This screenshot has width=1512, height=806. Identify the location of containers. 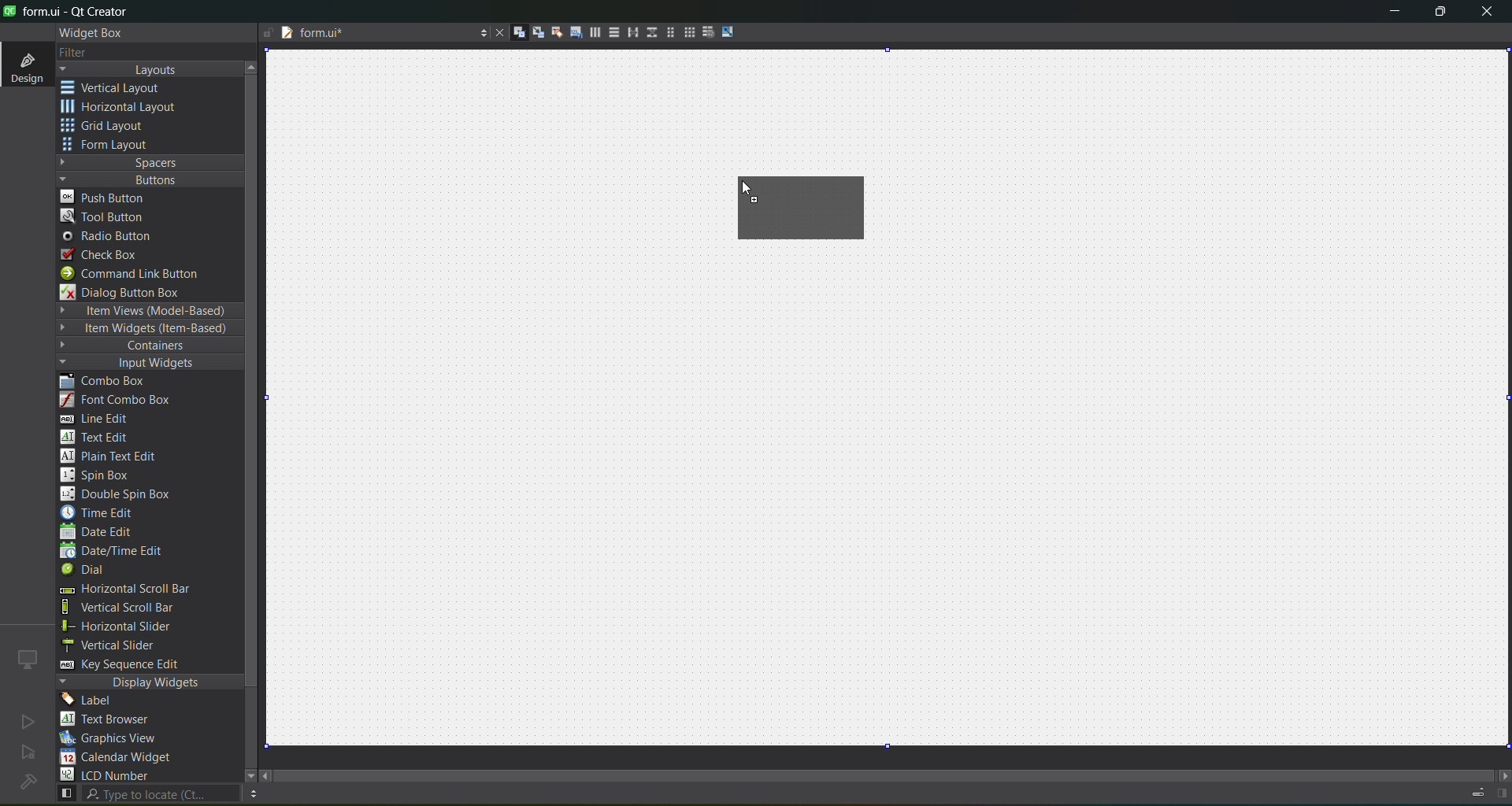
(142, 346).